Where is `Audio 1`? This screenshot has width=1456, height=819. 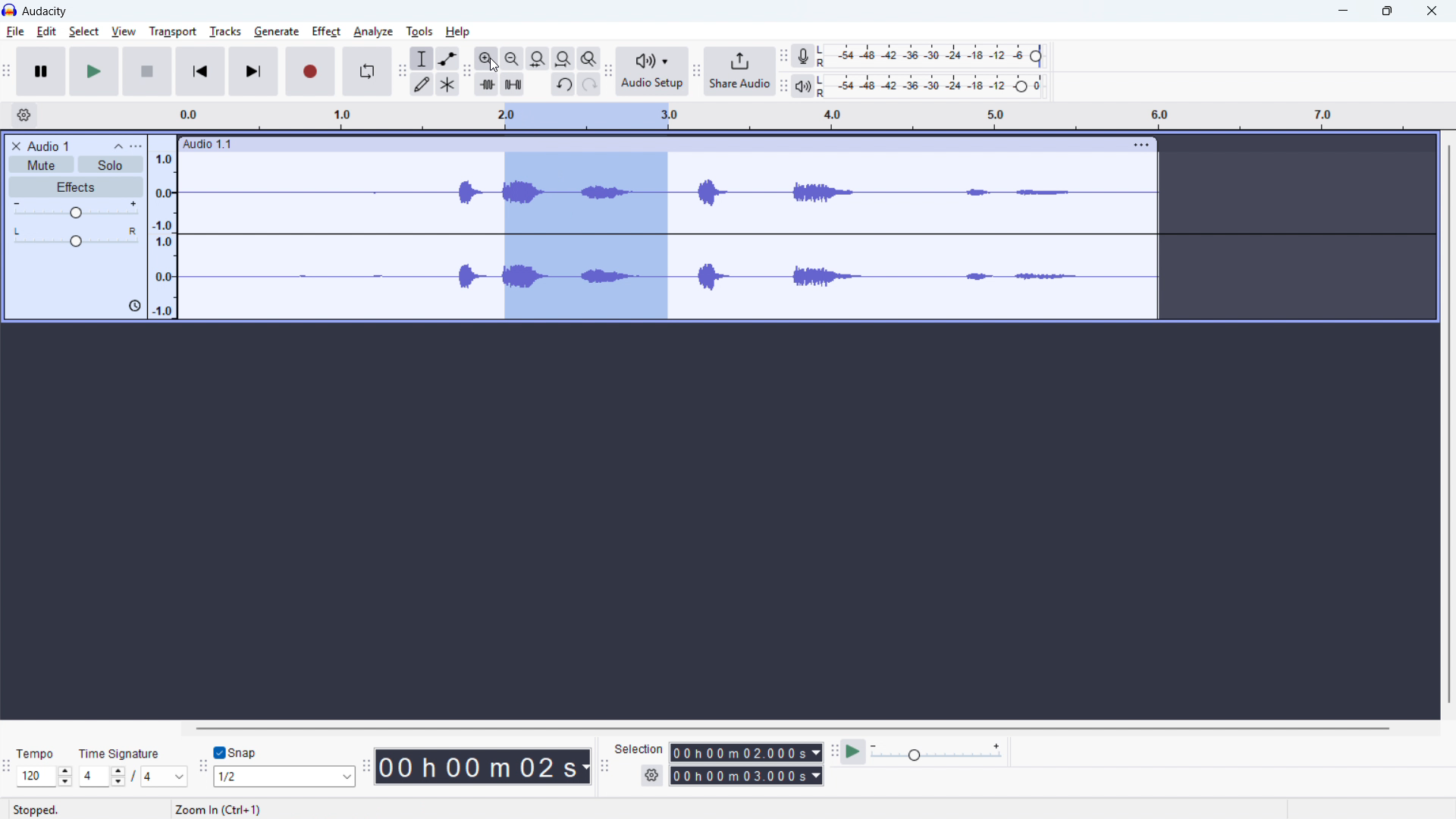 Audio 1 is located at coordinates (49, 146).